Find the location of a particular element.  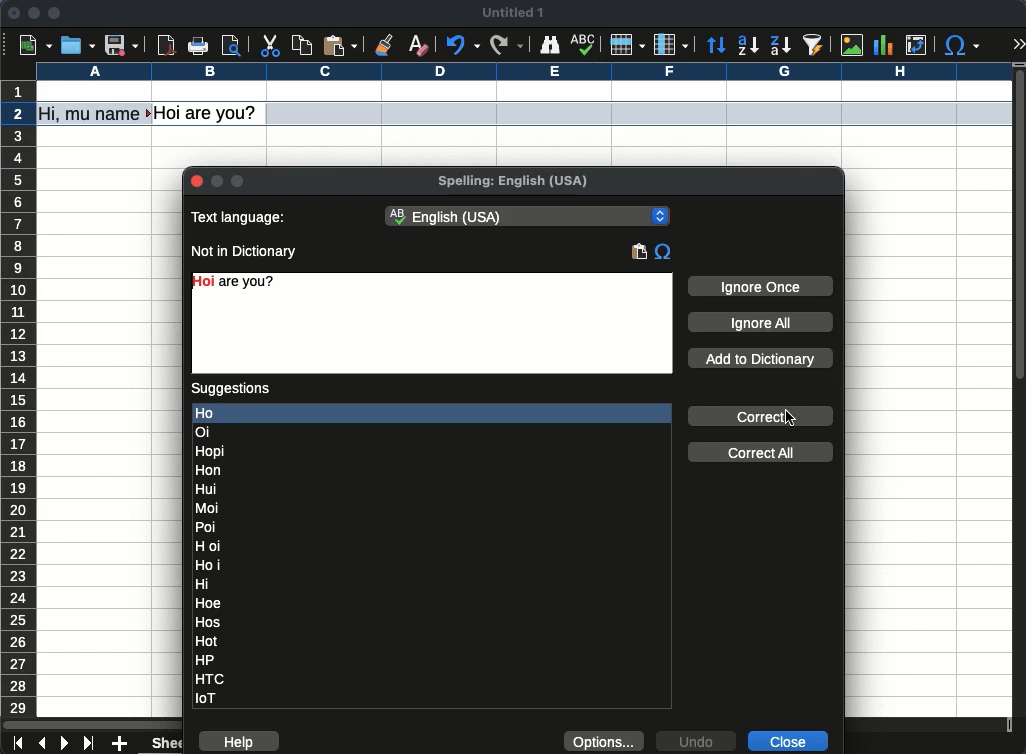

Hoi are you? - error text is located at coordinates (244, 282).